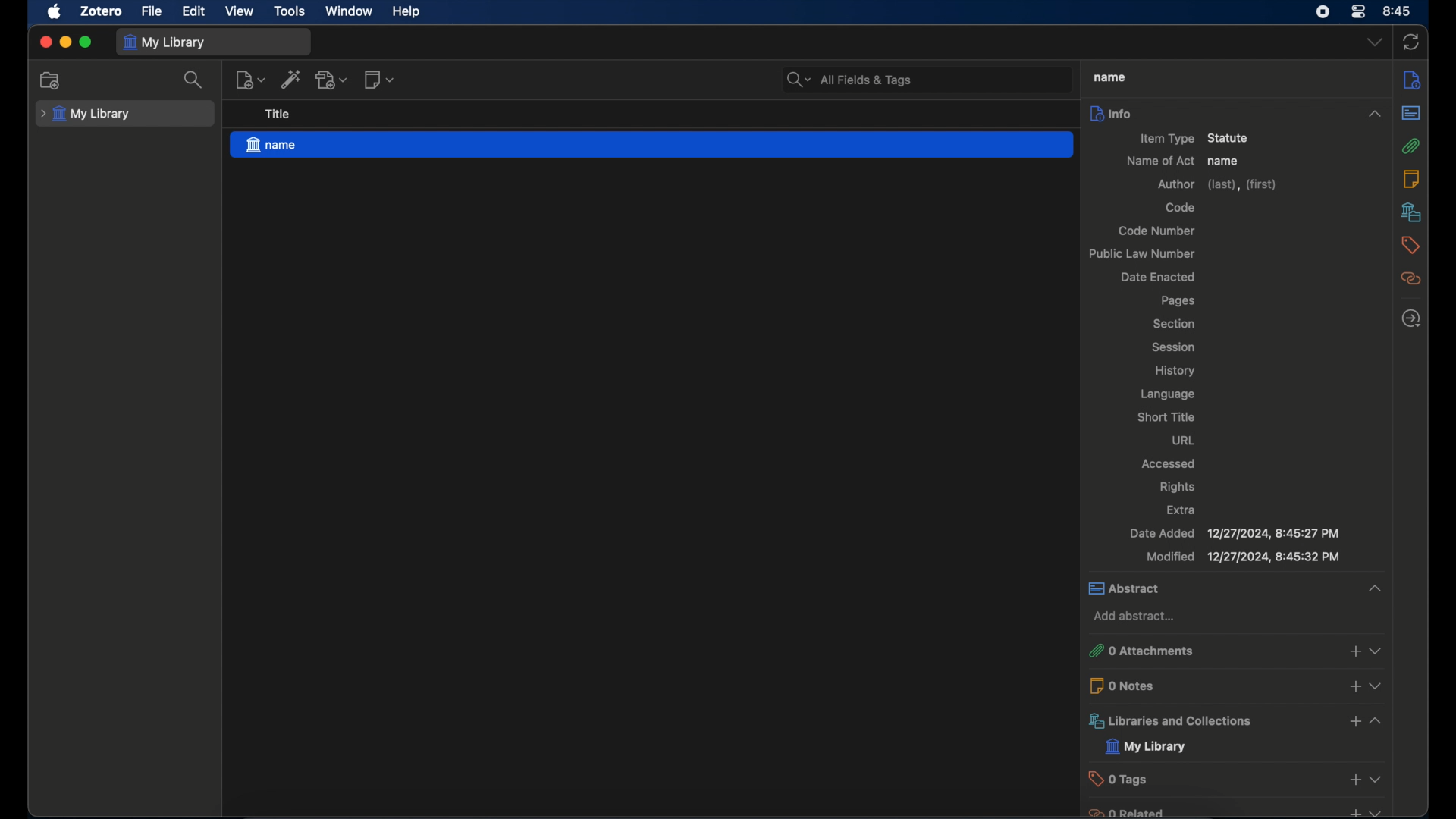  I want to click on dropdown, so click(1376, 651).